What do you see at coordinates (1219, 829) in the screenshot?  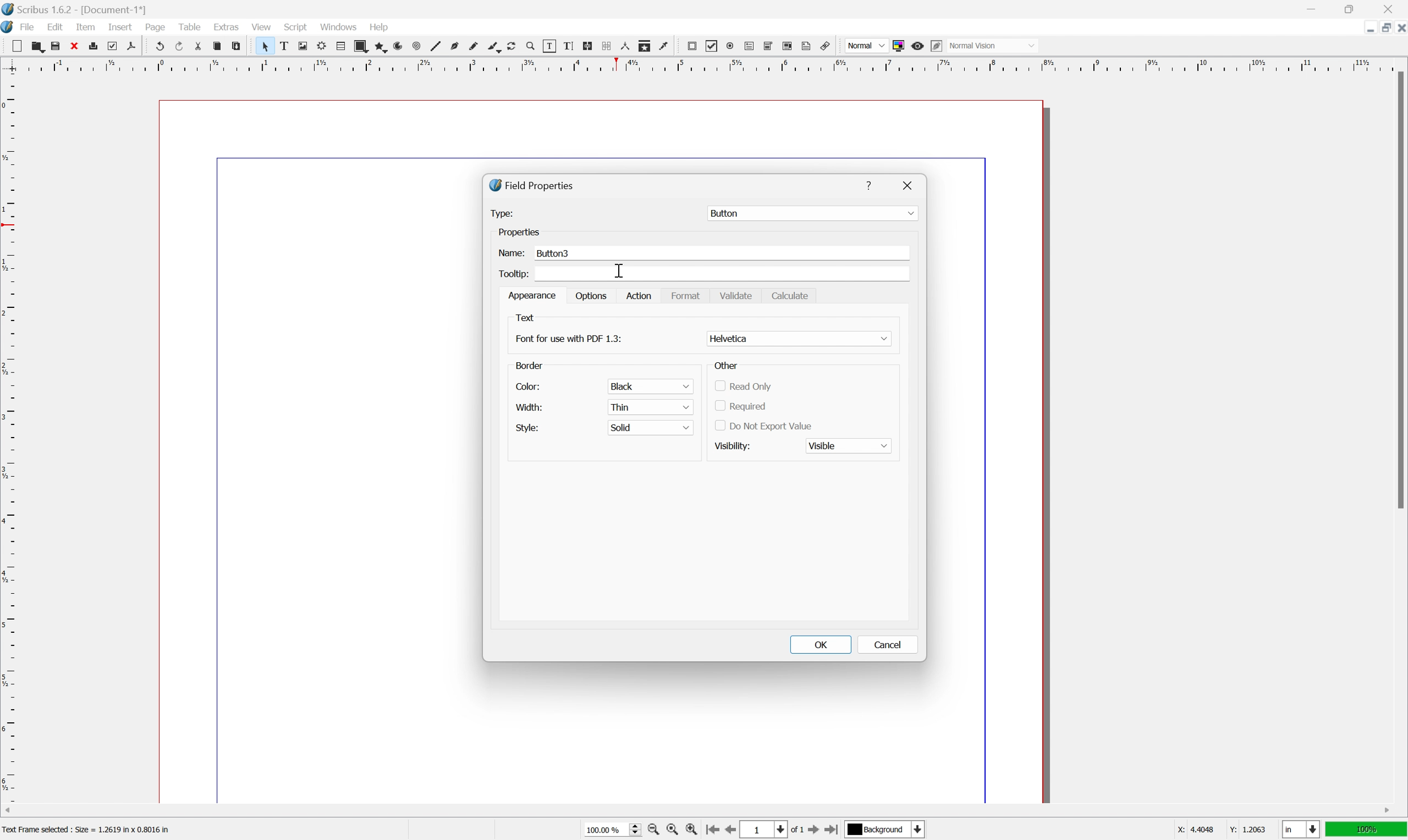 I see `X: 44048 Y: 1.2063` at bounding box center [1219, 829].